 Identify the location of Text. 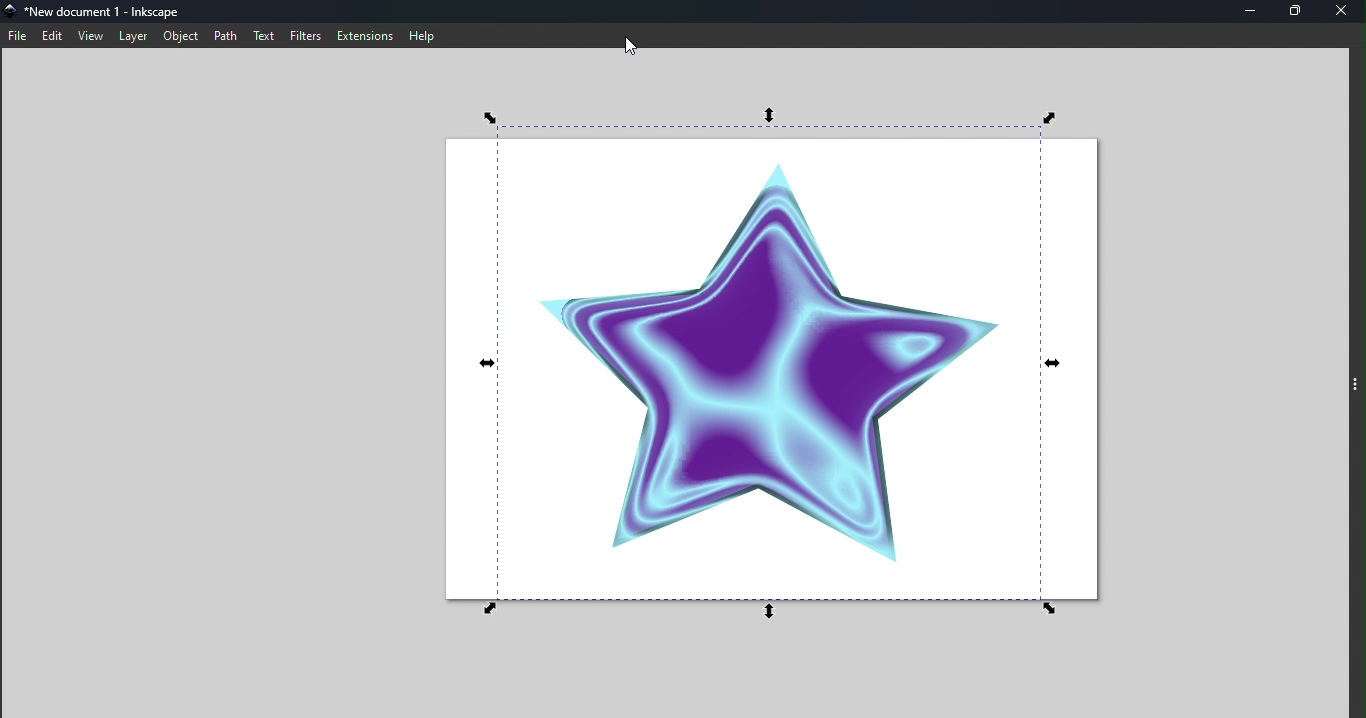
(260, 35).